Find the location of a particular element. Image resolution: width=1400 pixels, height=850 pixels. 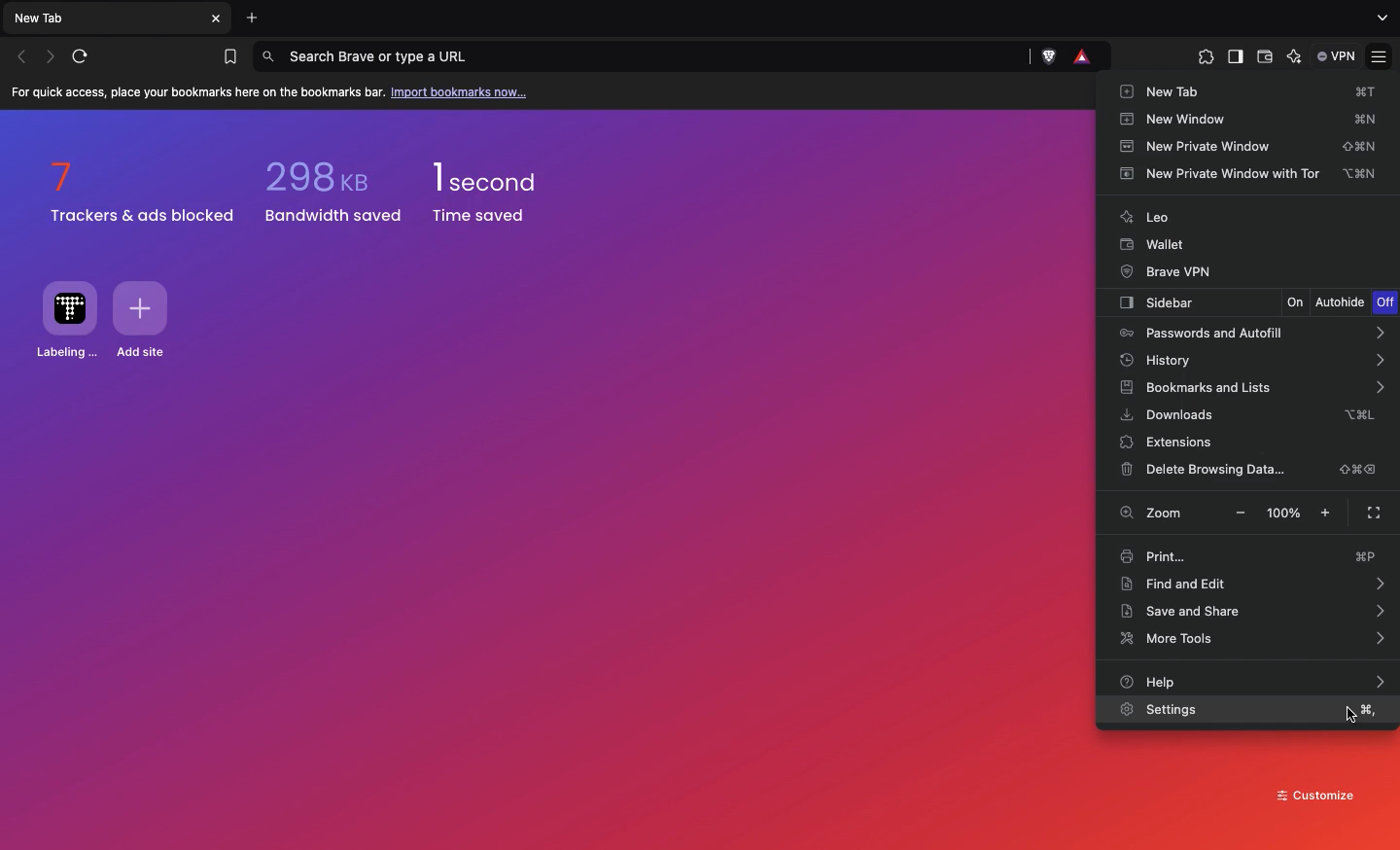

Extensions is located at coordinates (1168, 441).